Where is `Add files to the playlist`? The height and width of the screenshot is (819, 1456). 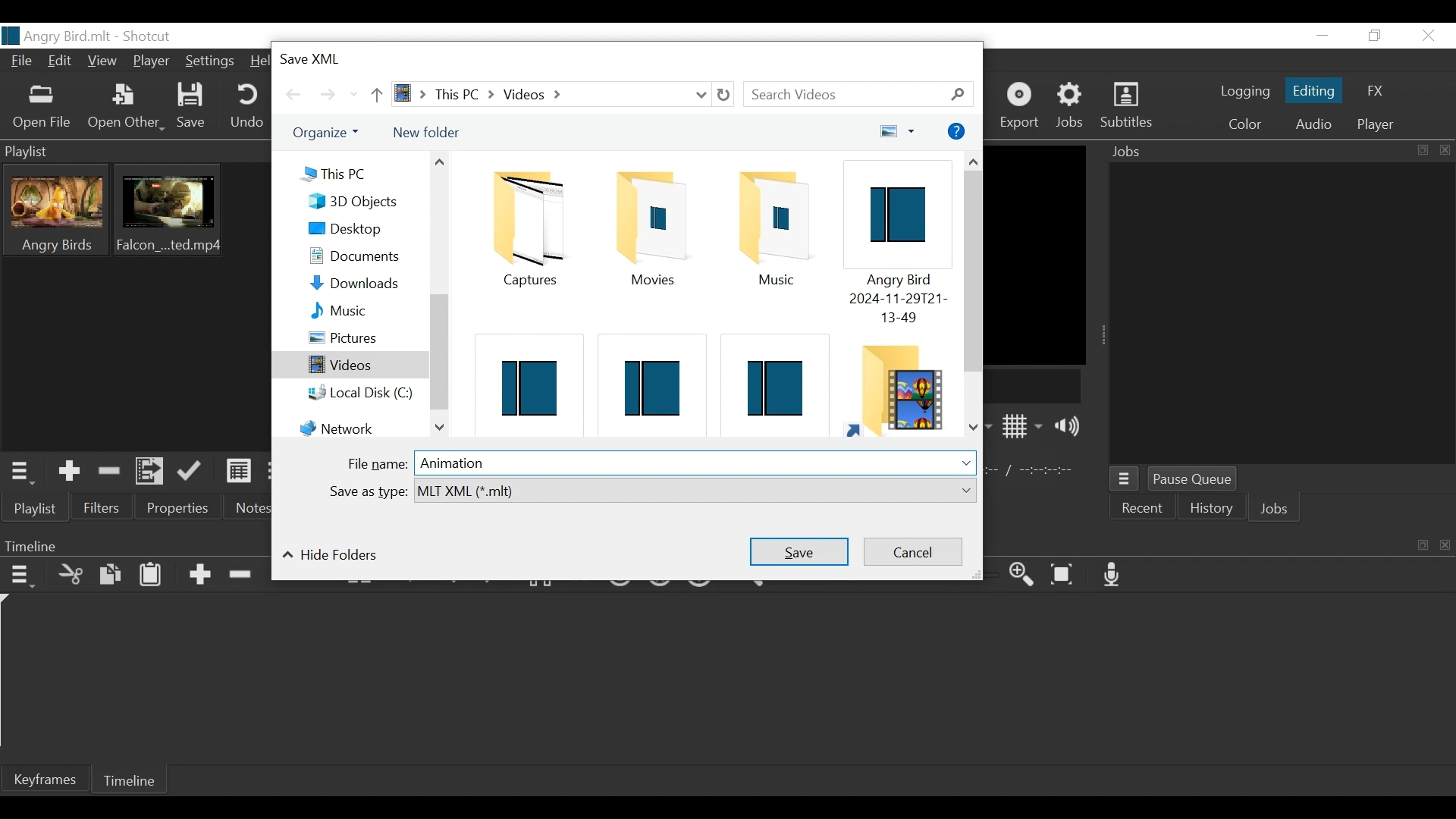
Add files to the playlist is located at coordinates (151, 472).